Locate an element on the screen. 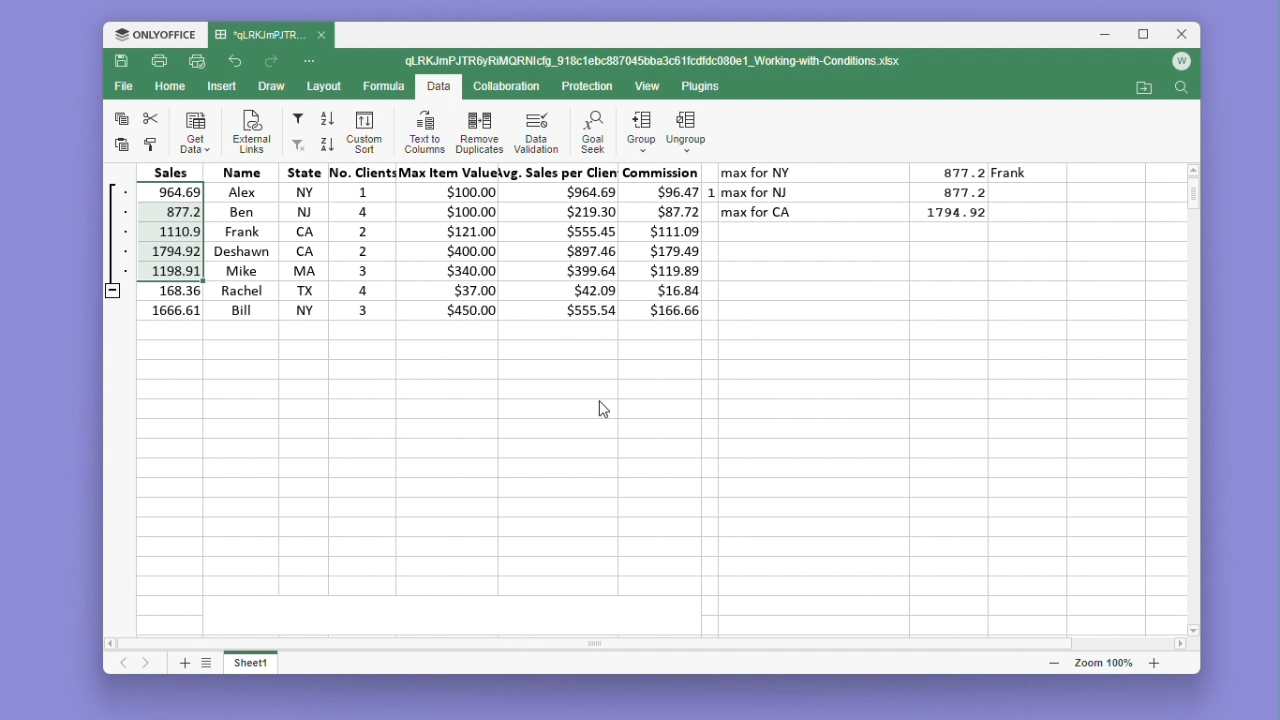 The width and height of the screenshot is (1280, 720). Collaboration is located at coordinates (504, 85).